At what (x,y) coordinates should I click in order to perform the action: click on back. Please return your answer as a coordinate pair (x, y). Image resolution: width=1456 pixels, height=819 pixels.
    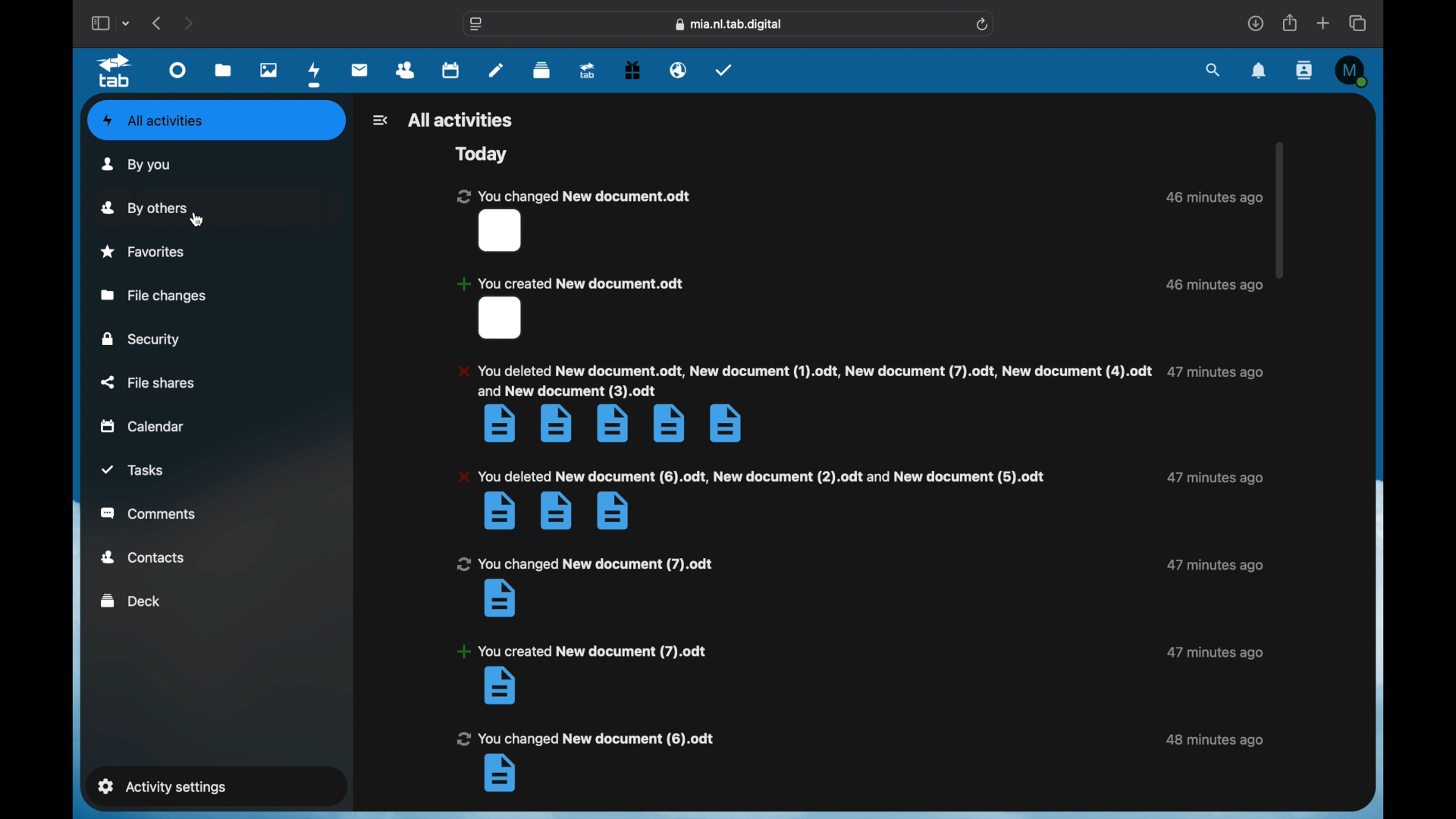
    Looking at the image, I should click on (378, 120).